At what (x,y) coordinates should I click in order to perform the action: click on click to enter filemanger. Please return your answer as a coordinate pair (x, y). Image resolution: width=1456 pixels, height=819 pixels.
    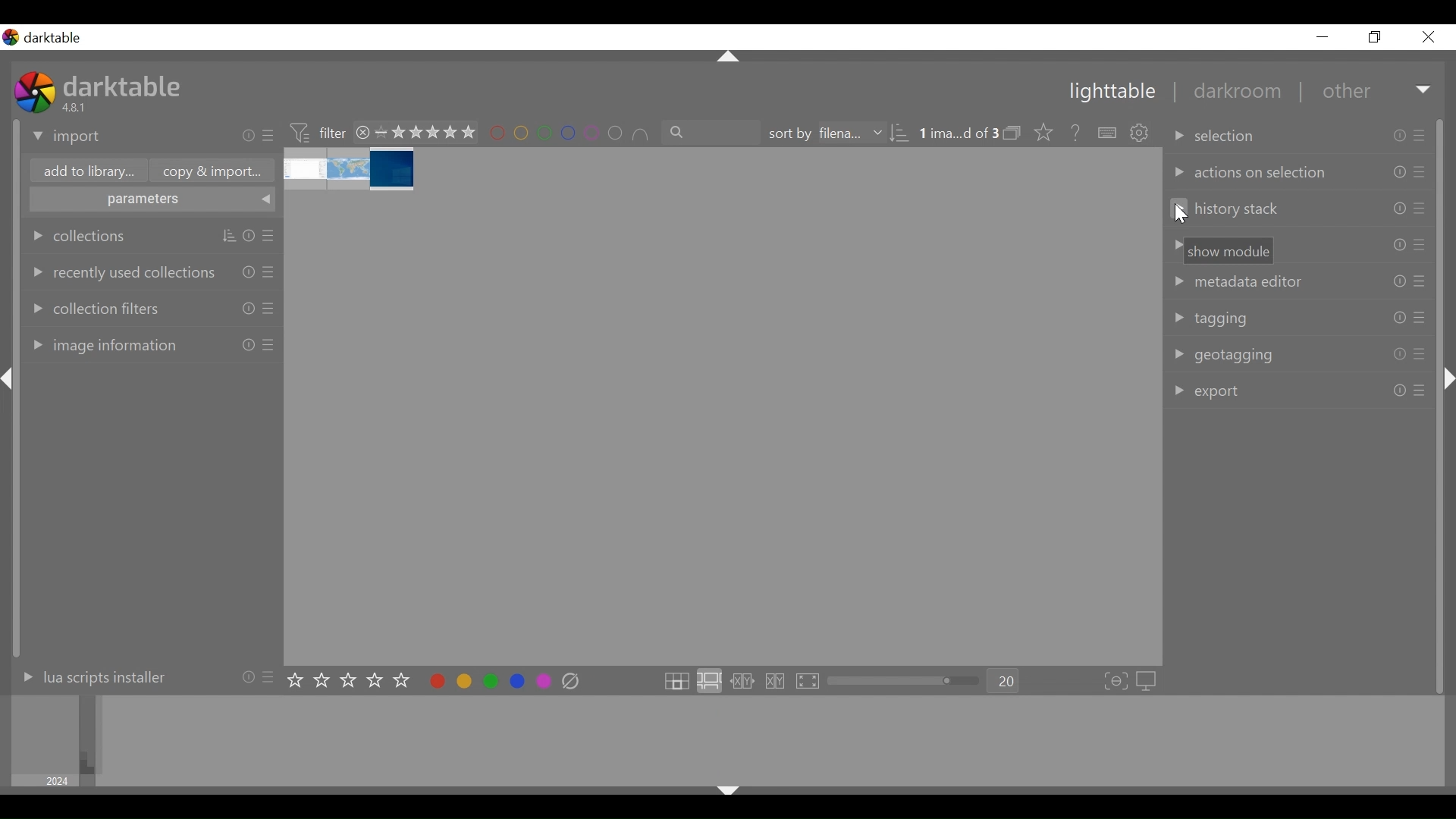
    Looking at the image, I should click on (676, 682).